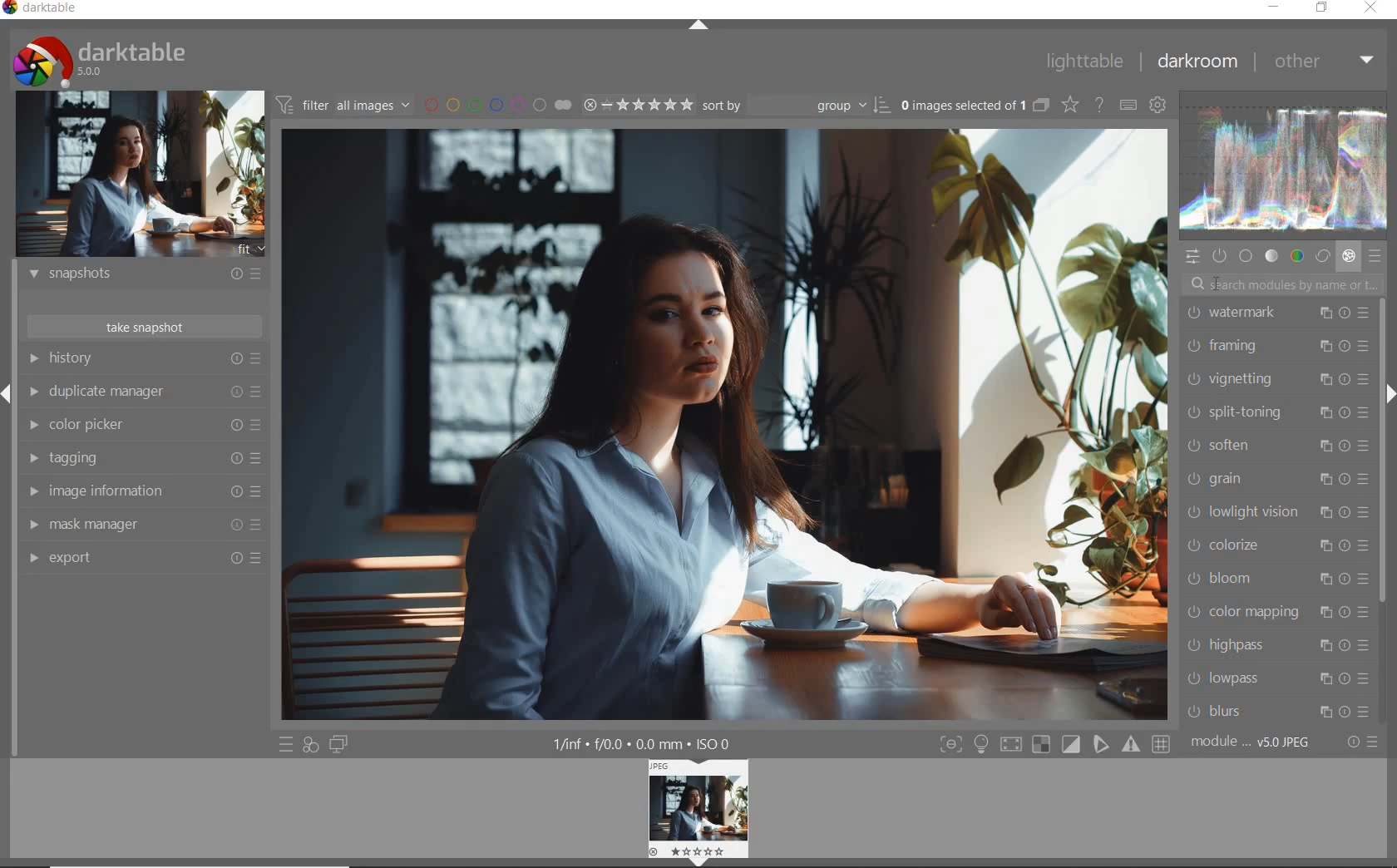  I want to click on expand grouped images, so click(976, 107).